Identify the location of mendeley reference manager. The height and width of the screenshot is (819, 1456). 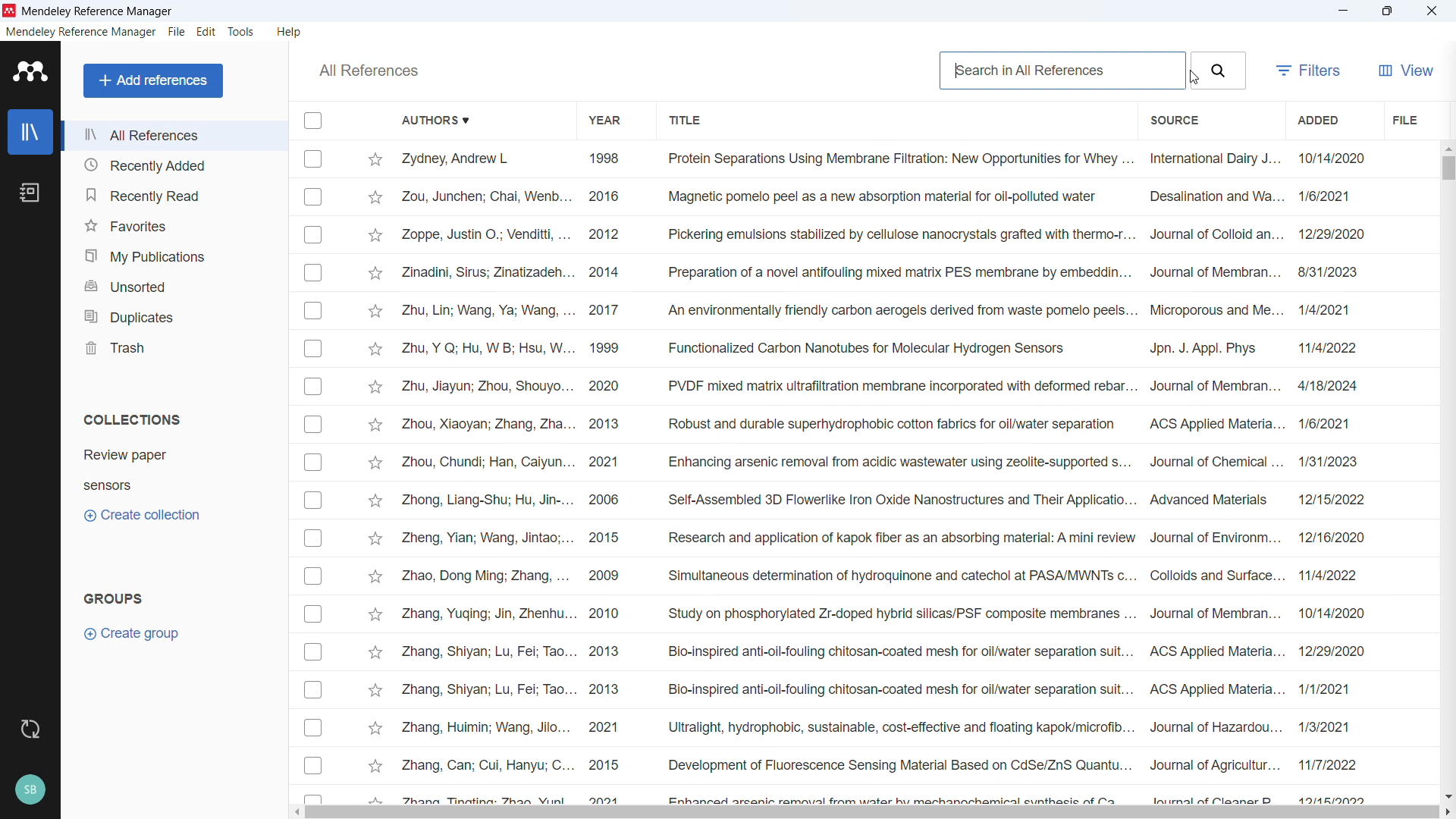
(97, 11).